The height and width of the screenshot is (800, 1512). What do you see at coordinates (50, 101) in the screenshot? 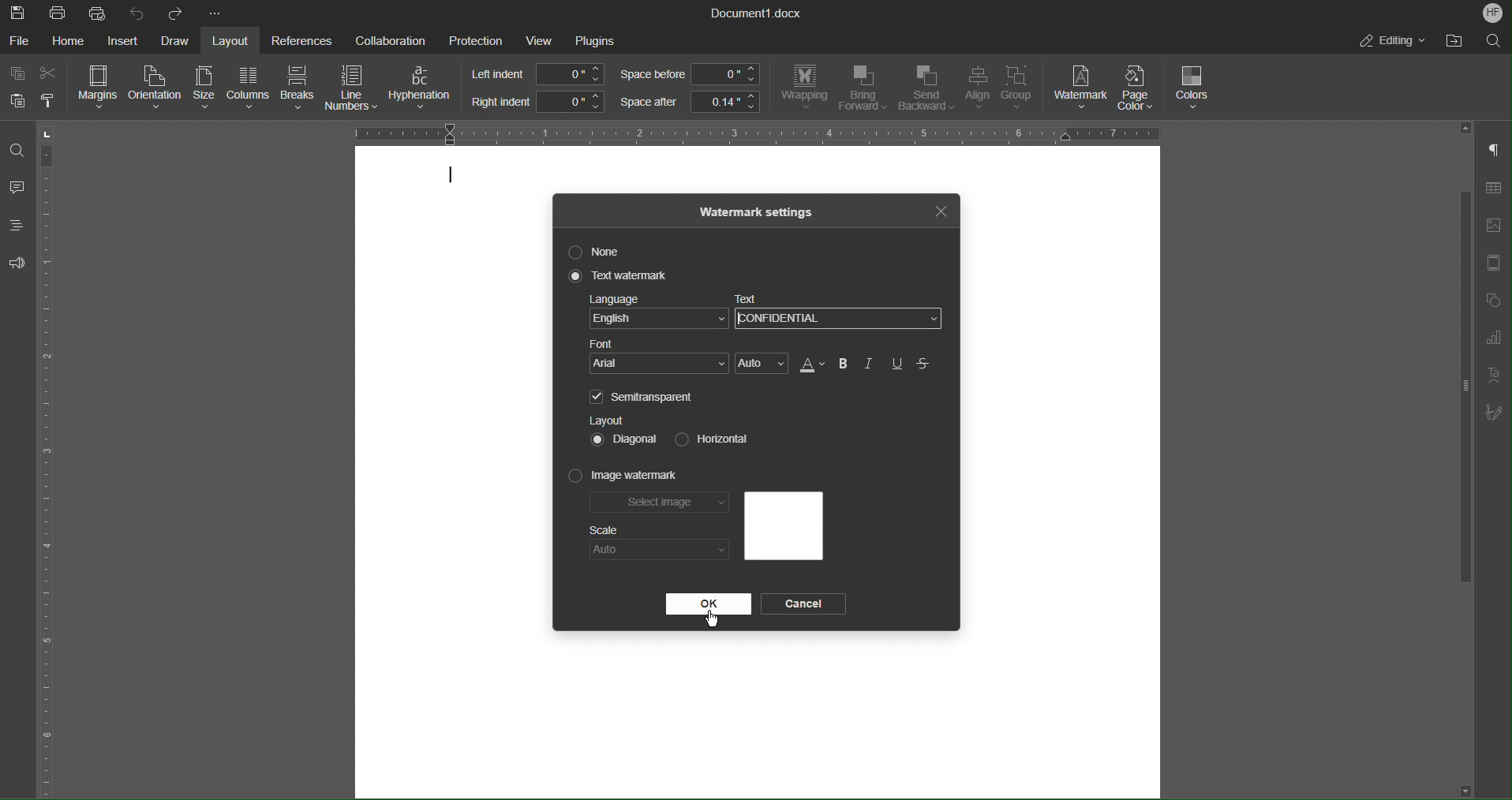
I see `Copy Style` at bounding box center [50, 101].